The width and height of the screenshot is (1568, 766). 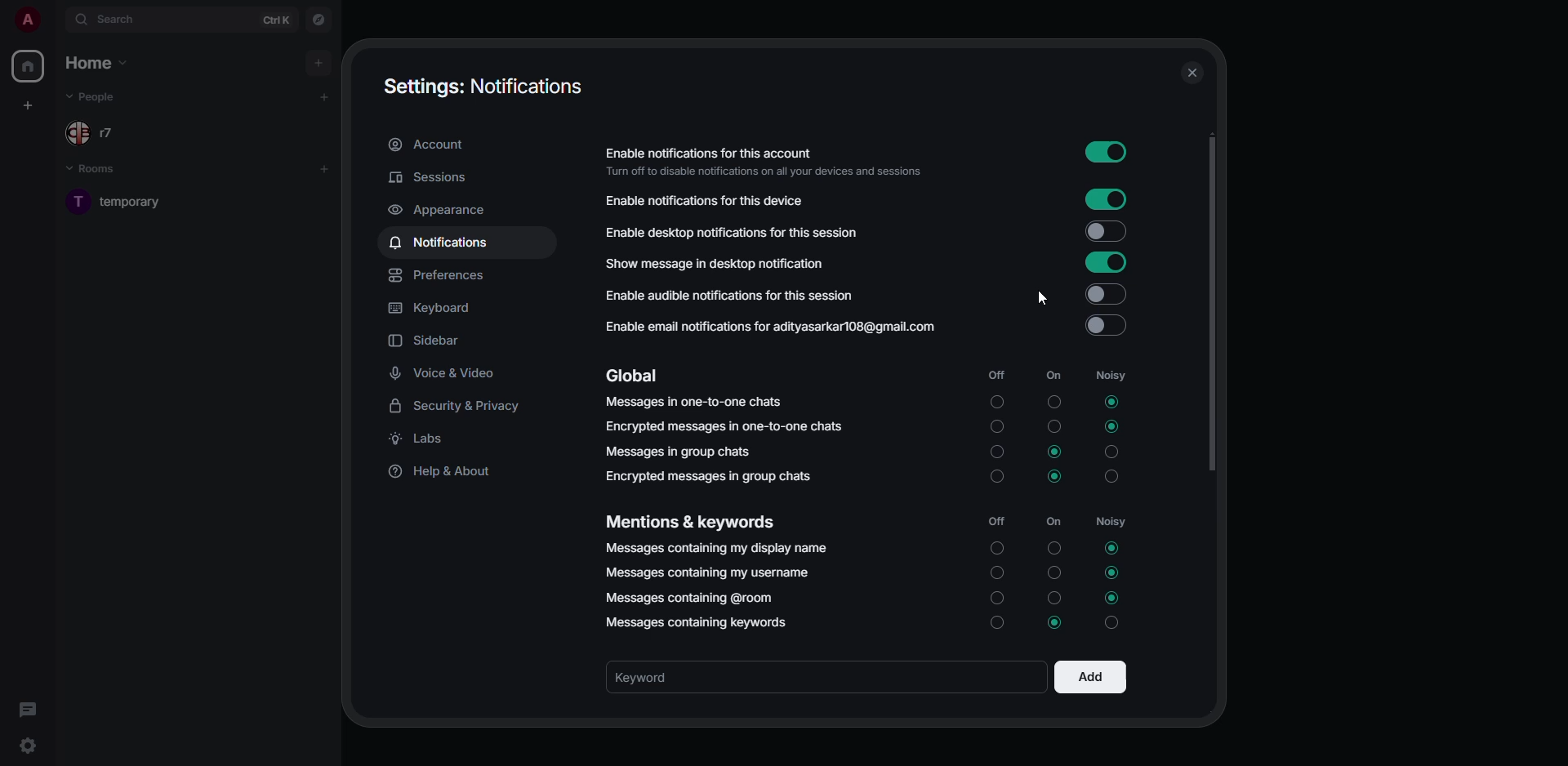 I want to click on enable audible notifications, so click(x=732, y=297).